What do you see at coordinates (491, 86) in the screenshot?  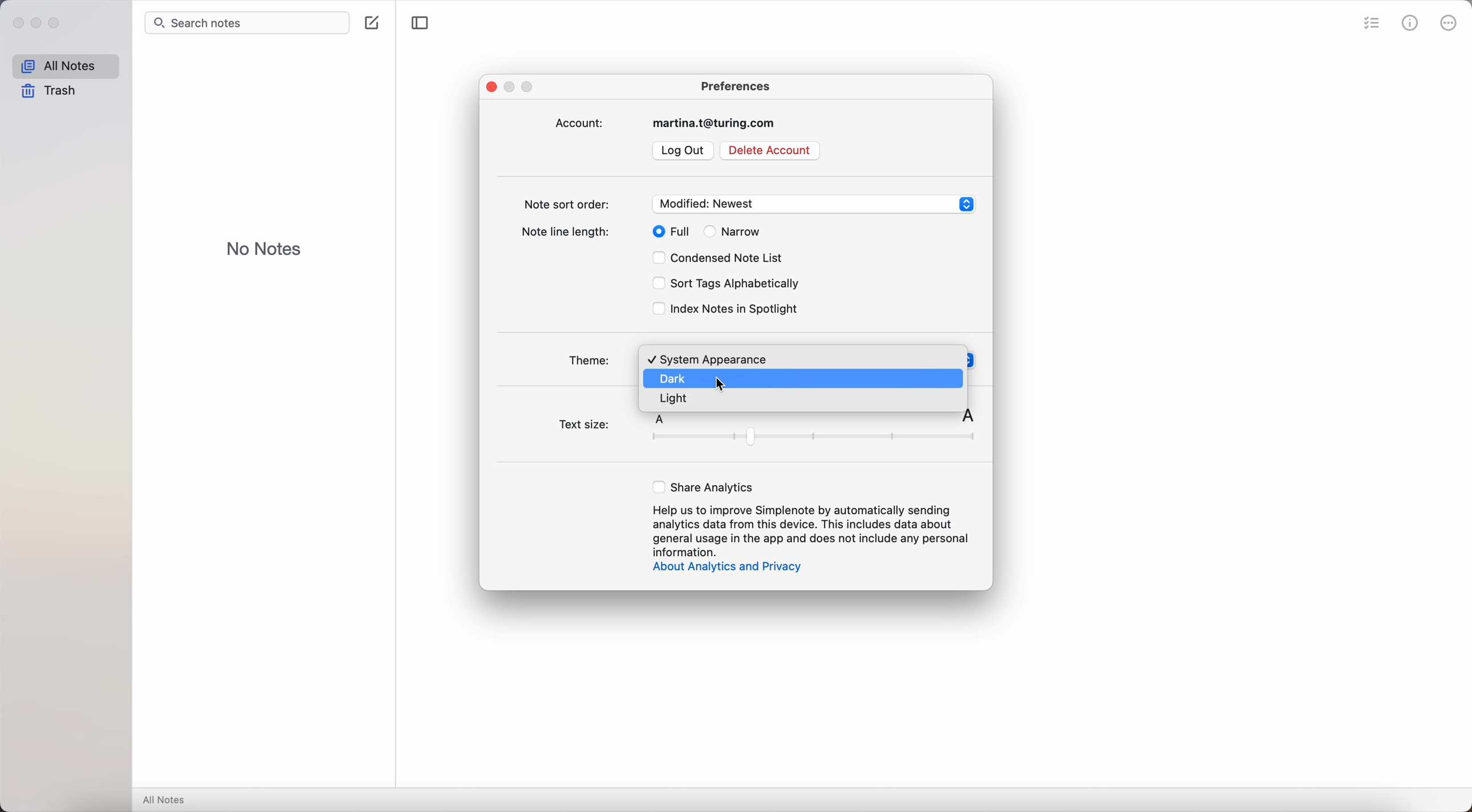 I see `close popup` at bounding box center [491, 86].